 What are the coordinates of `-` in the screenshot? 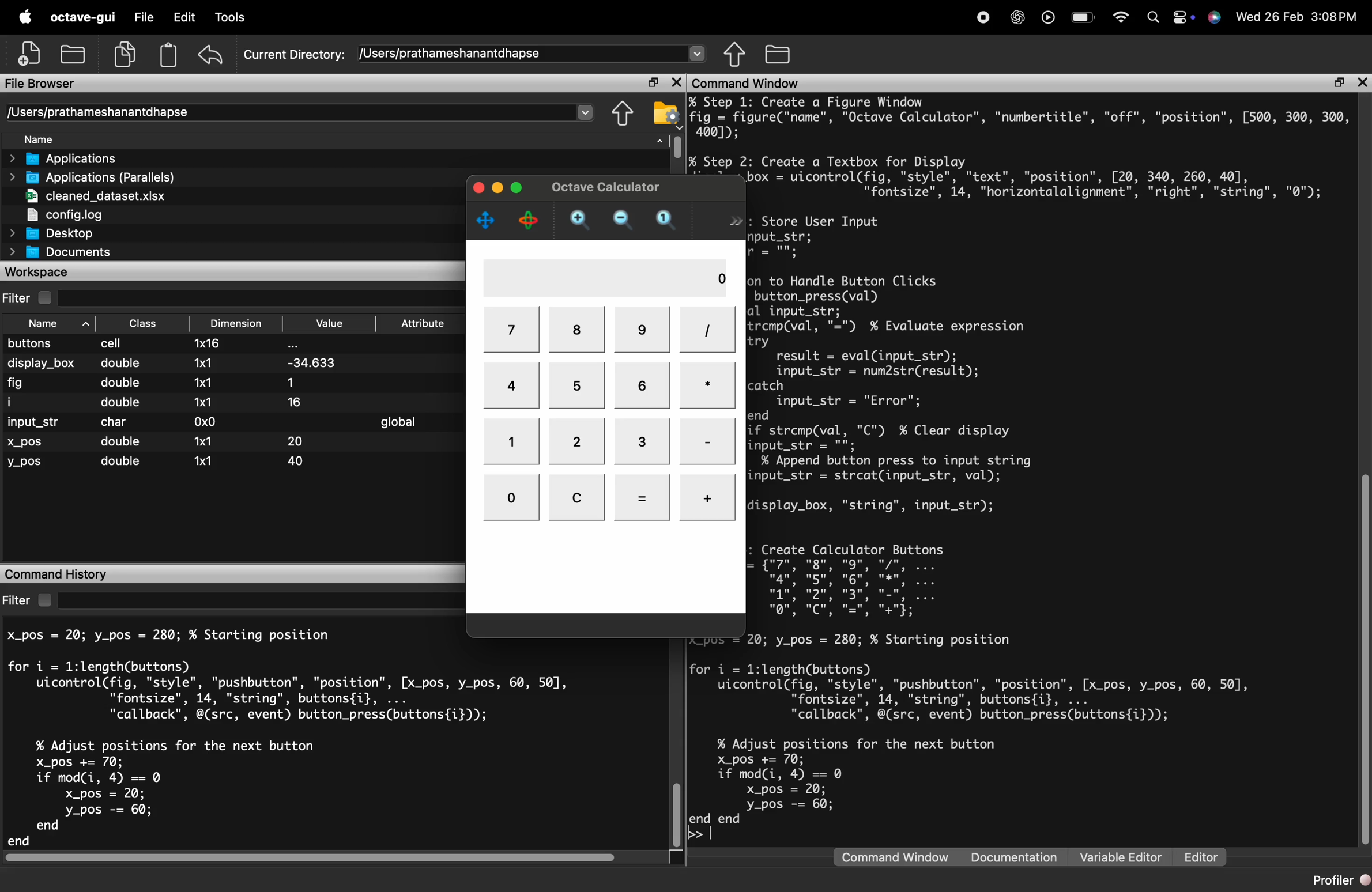 It's located at (707, 441).